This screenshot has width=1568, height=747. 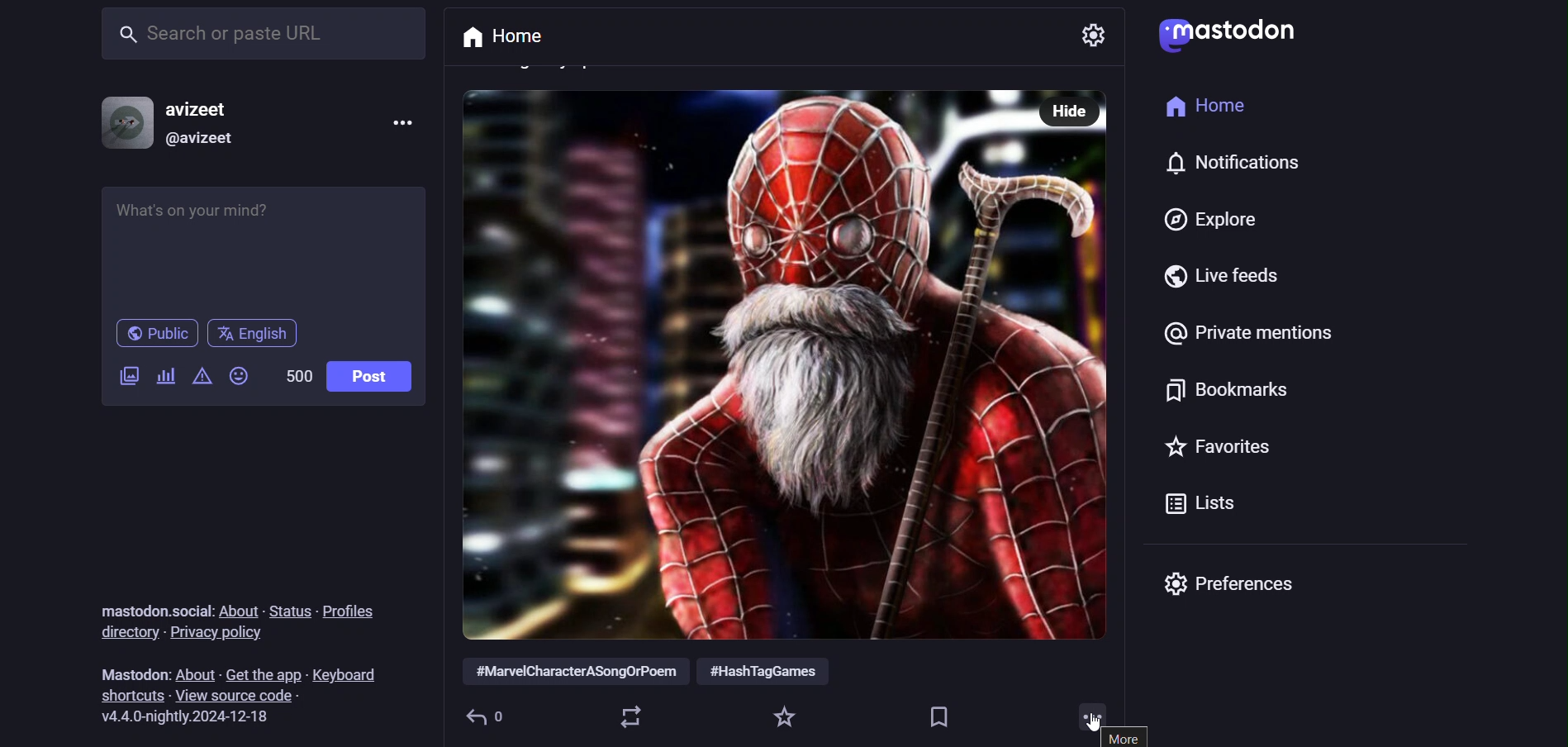 What do you see at coordinates (1220, 277) in the screenshot?
I see `live feeds` at bounding box center [1220, 277].